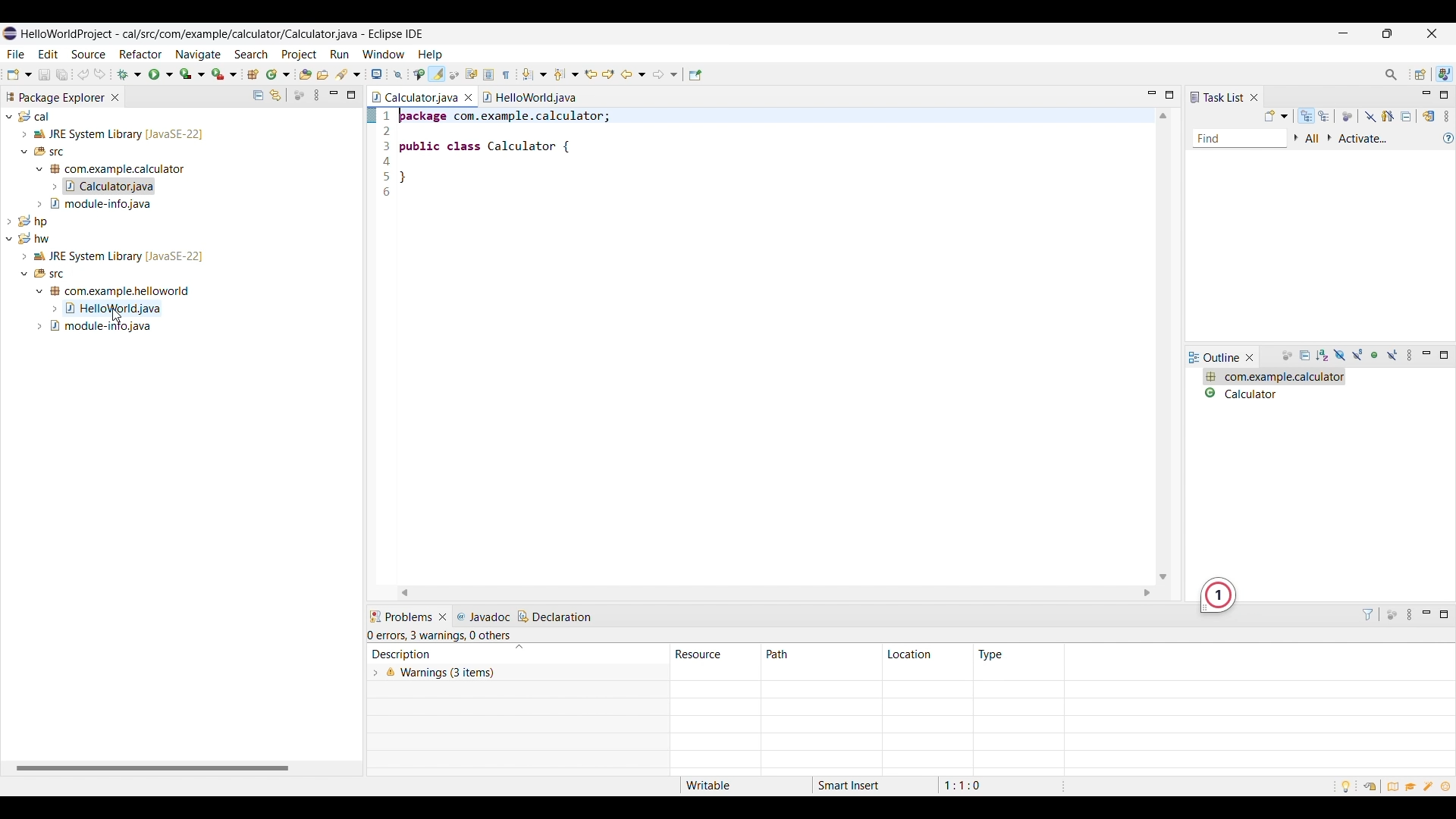 The image size is (1456, 819). What do you see at coordinates (339, 54) in the screenshot?
I see `Run` at bounding box center [339, 54].